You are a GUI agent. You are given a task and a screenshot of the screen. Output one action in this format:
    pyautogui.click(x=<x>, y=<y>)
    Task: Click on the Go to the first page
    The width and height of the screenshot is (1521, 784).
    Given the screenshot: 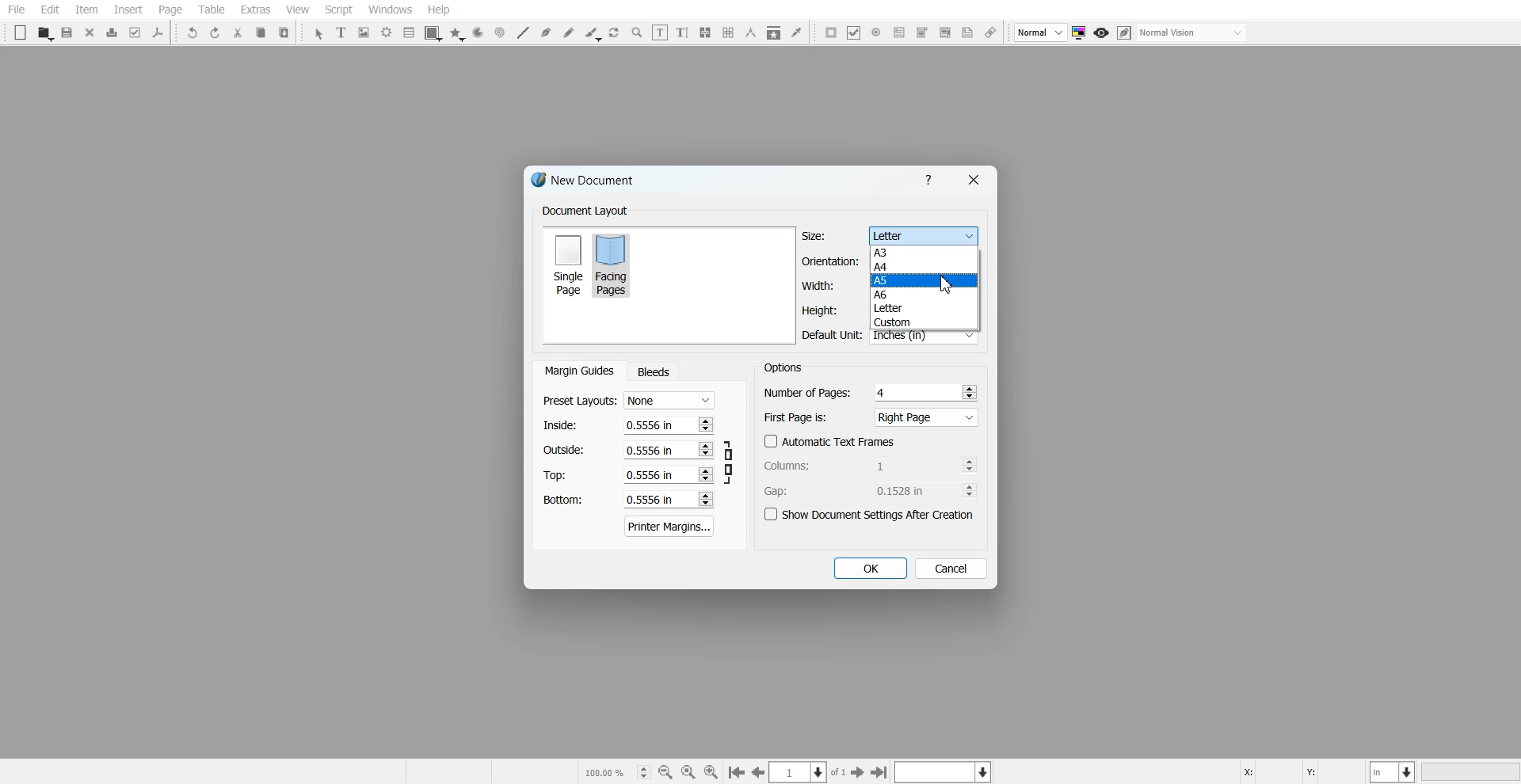 What is the action you would take?
    pyautogui.click(x=736, y=773)
    